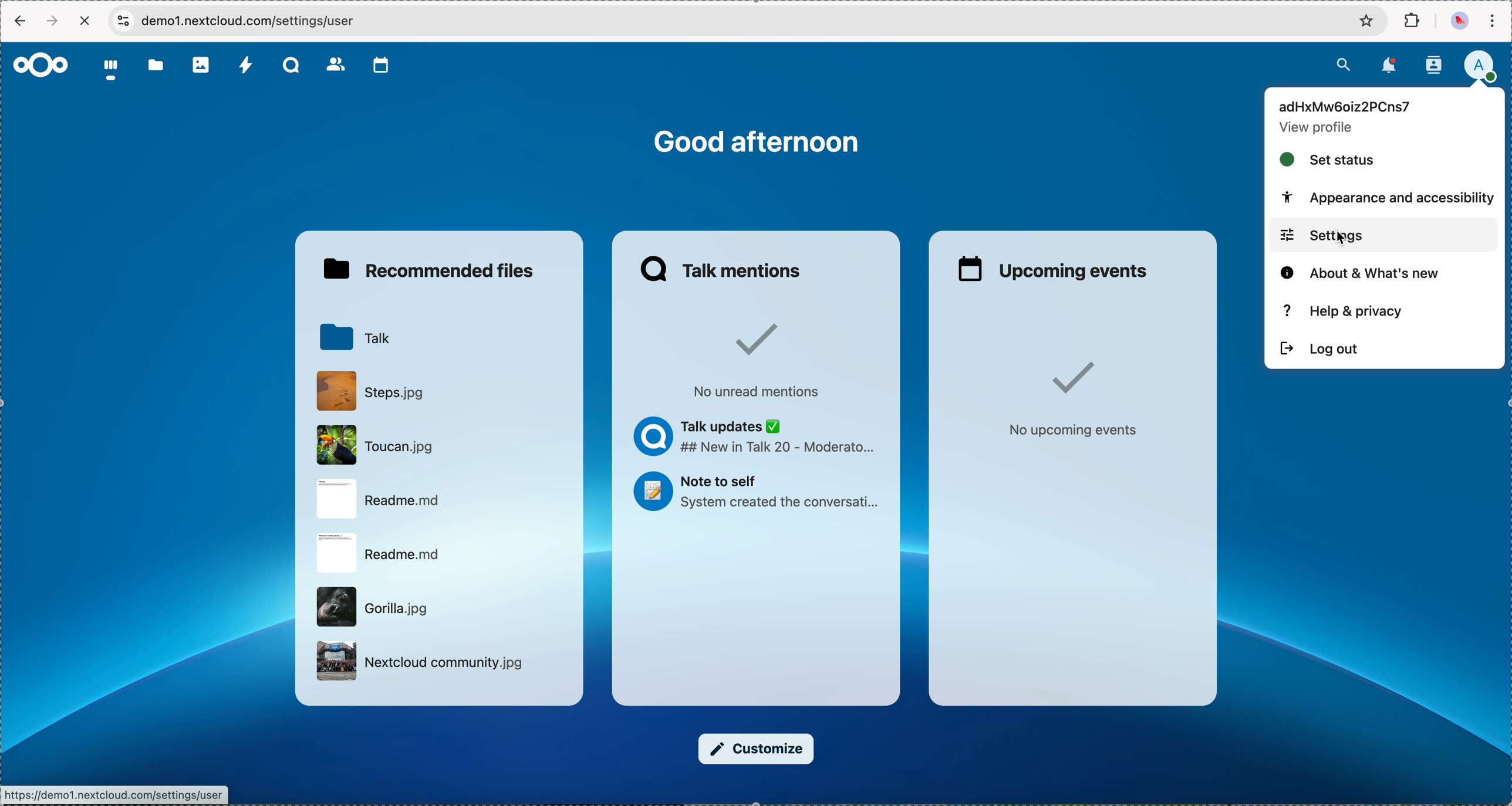 The height and width of the screenshot is (806, 1512). I want to click on extensions, so click(1413, 21).